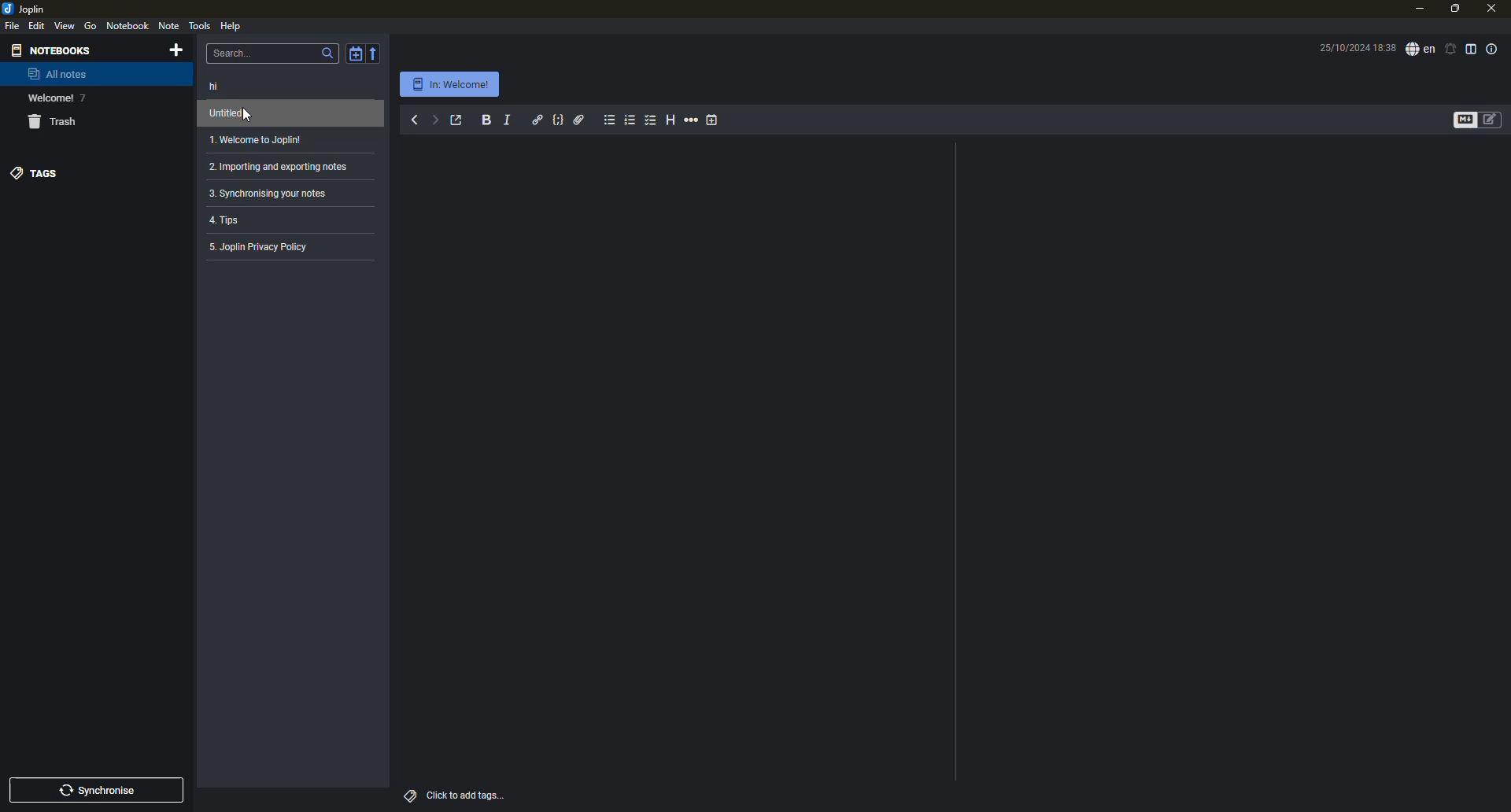 Image resolution: width=1511 pixels, height=812 pixels. What do you see at coordinates (200, 24) in the screenshot?
I see `tools` at bounding box center [200, 24].